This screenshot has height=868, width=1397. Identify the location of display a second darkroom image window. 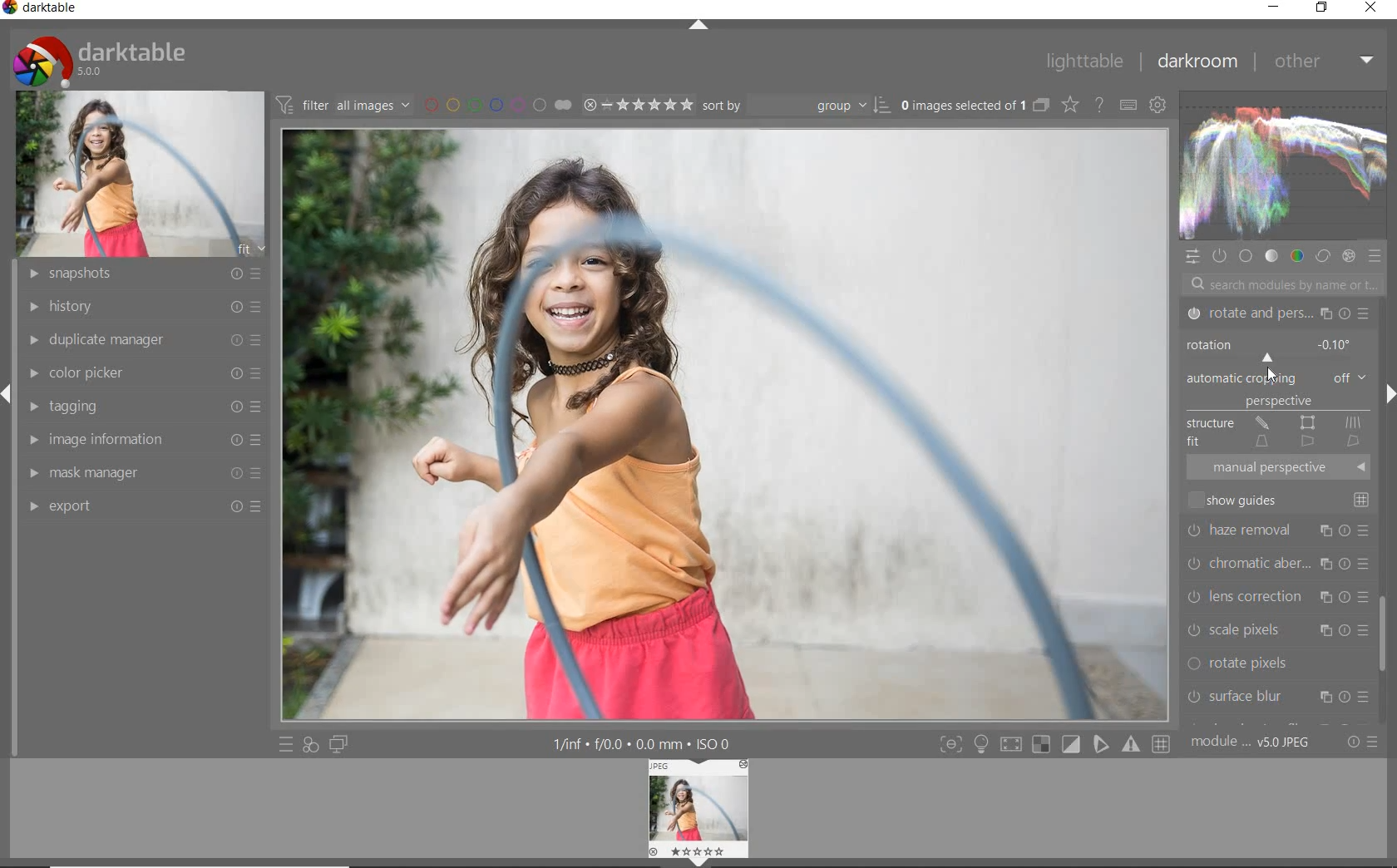
(338, 745).